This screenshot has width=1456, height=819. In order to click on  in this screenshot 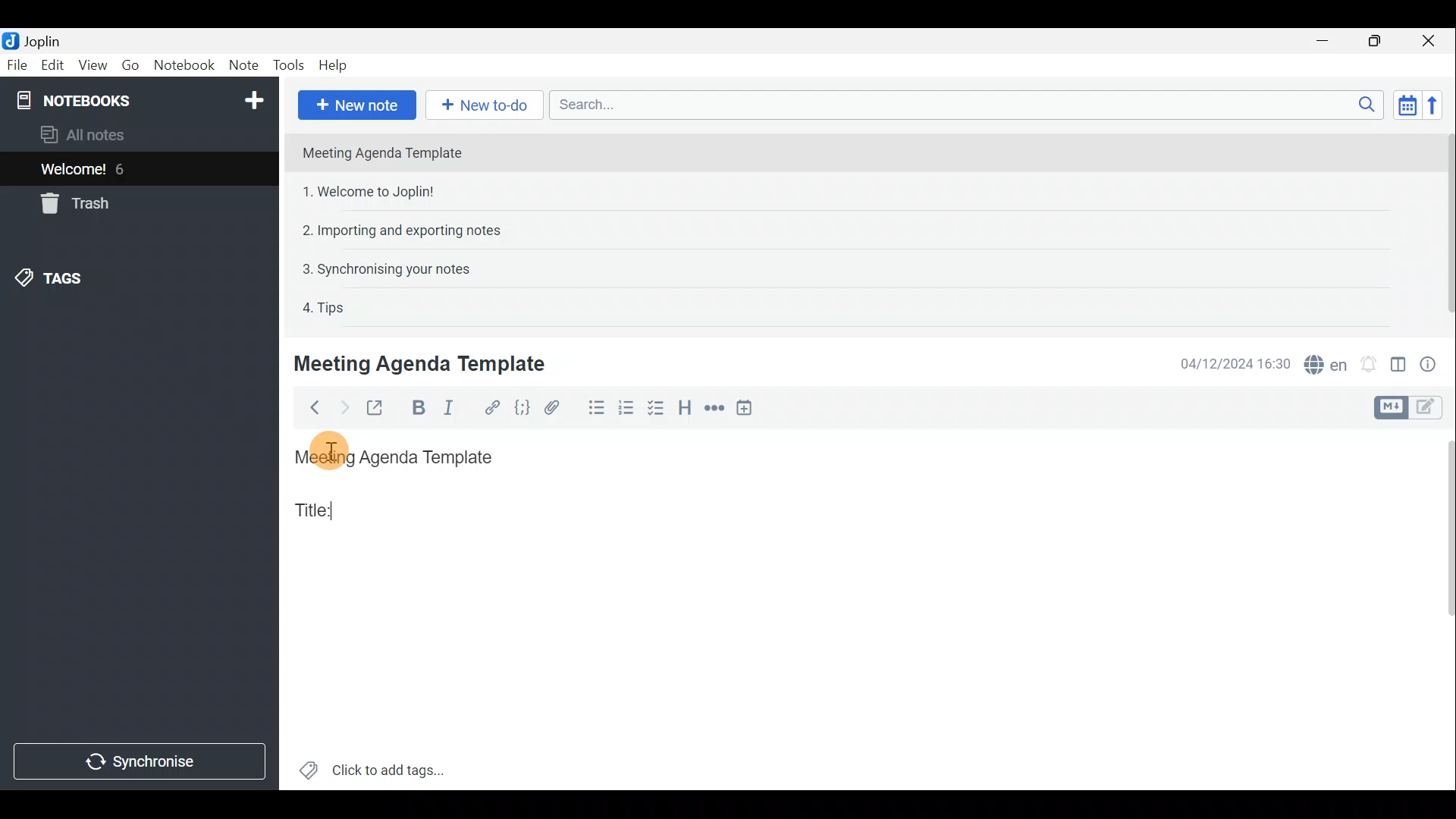, I will do `click(326, 451)`.